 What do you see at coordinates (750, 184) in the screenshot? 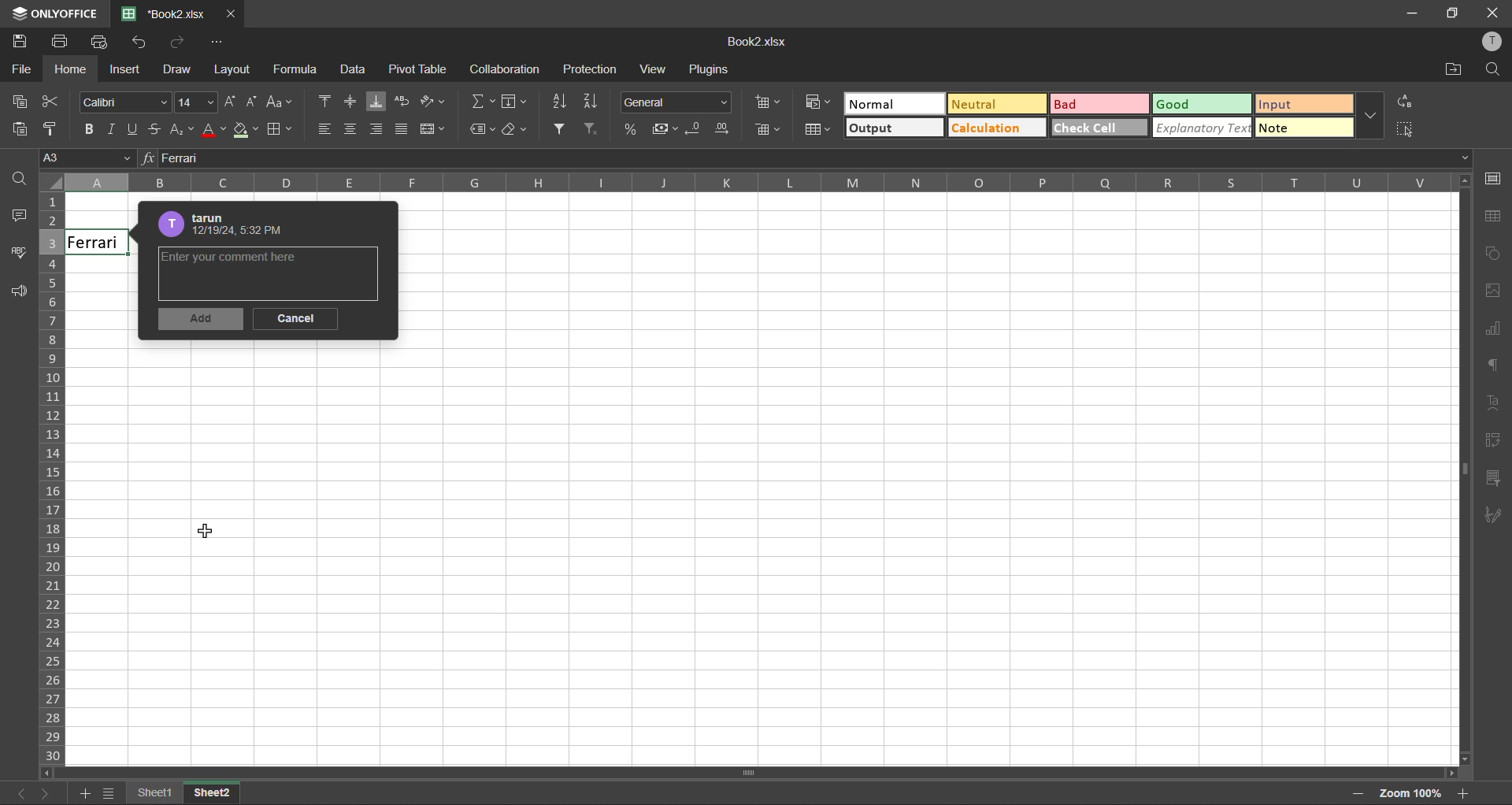
I see `column names` at bounding box center [750, 184].